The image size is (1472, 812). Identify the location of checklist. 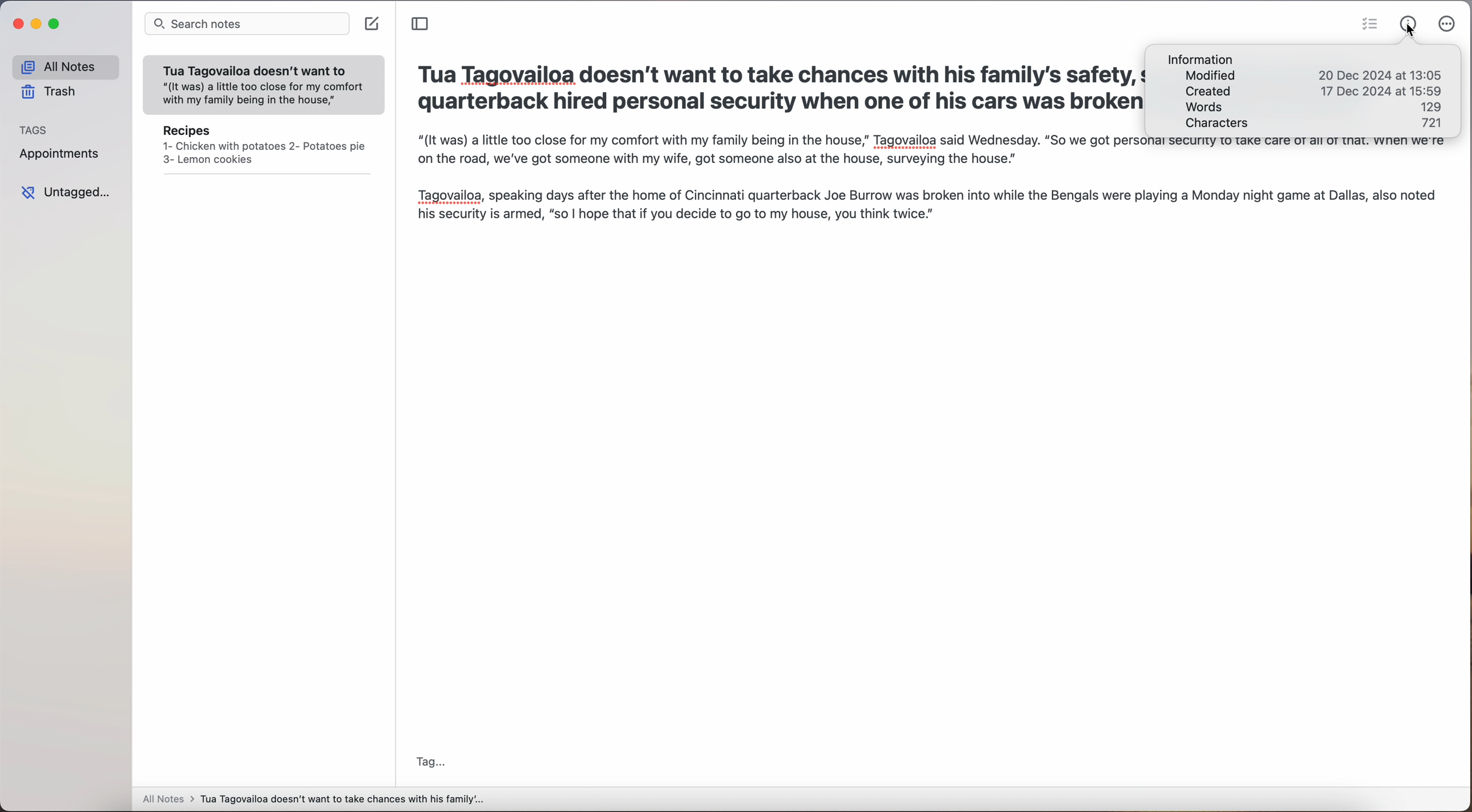
(1370, 26).